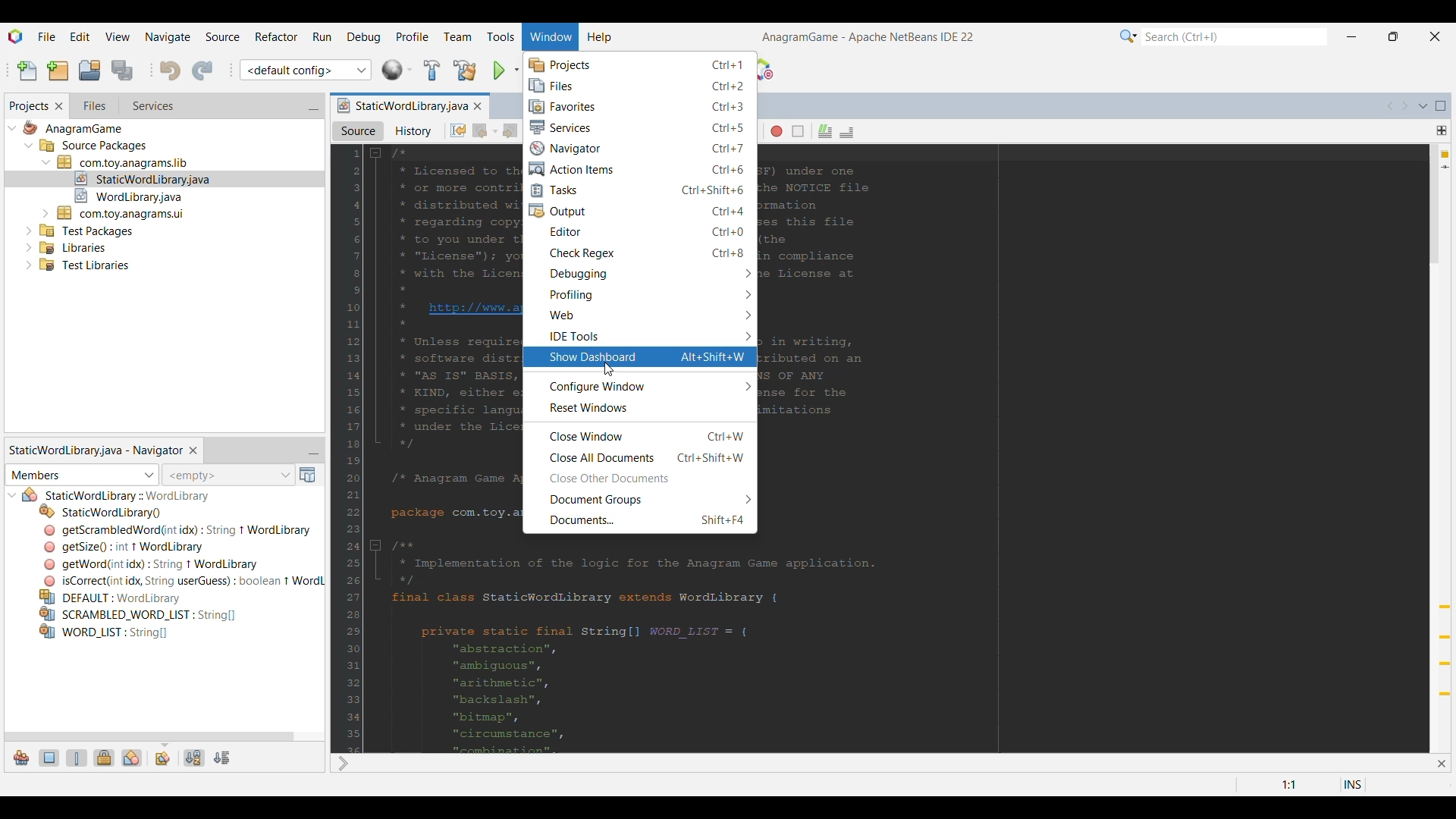  Describe the element at coordinates (1391, 105) in the screenshot. I see `Scroll documents left` at that location.